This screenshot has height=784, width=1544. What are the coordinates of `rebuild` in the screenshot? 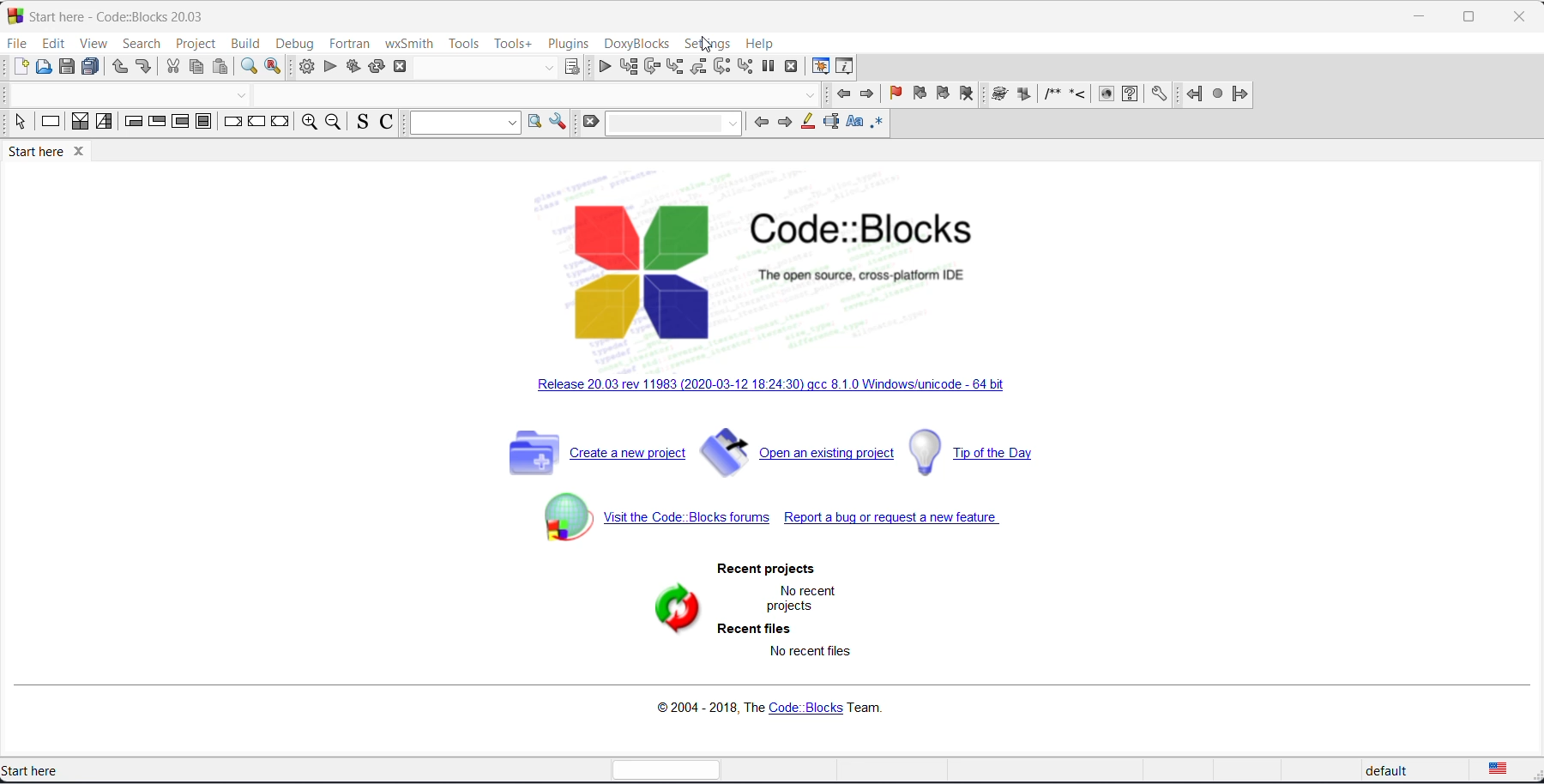 It's located at (376, 65).